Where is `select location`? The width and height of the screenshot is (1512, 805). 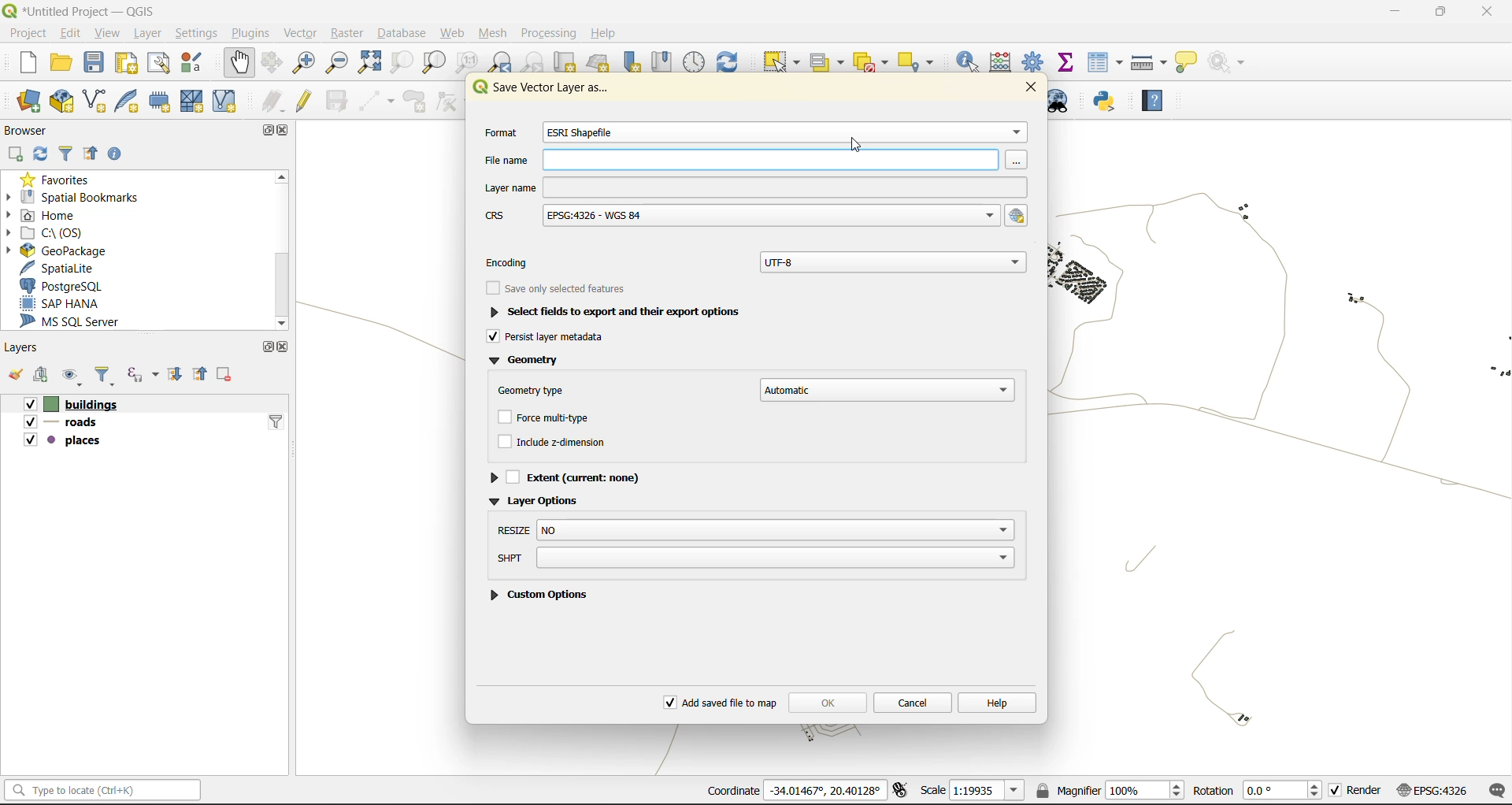 select location is located at coordinates (921, 62).